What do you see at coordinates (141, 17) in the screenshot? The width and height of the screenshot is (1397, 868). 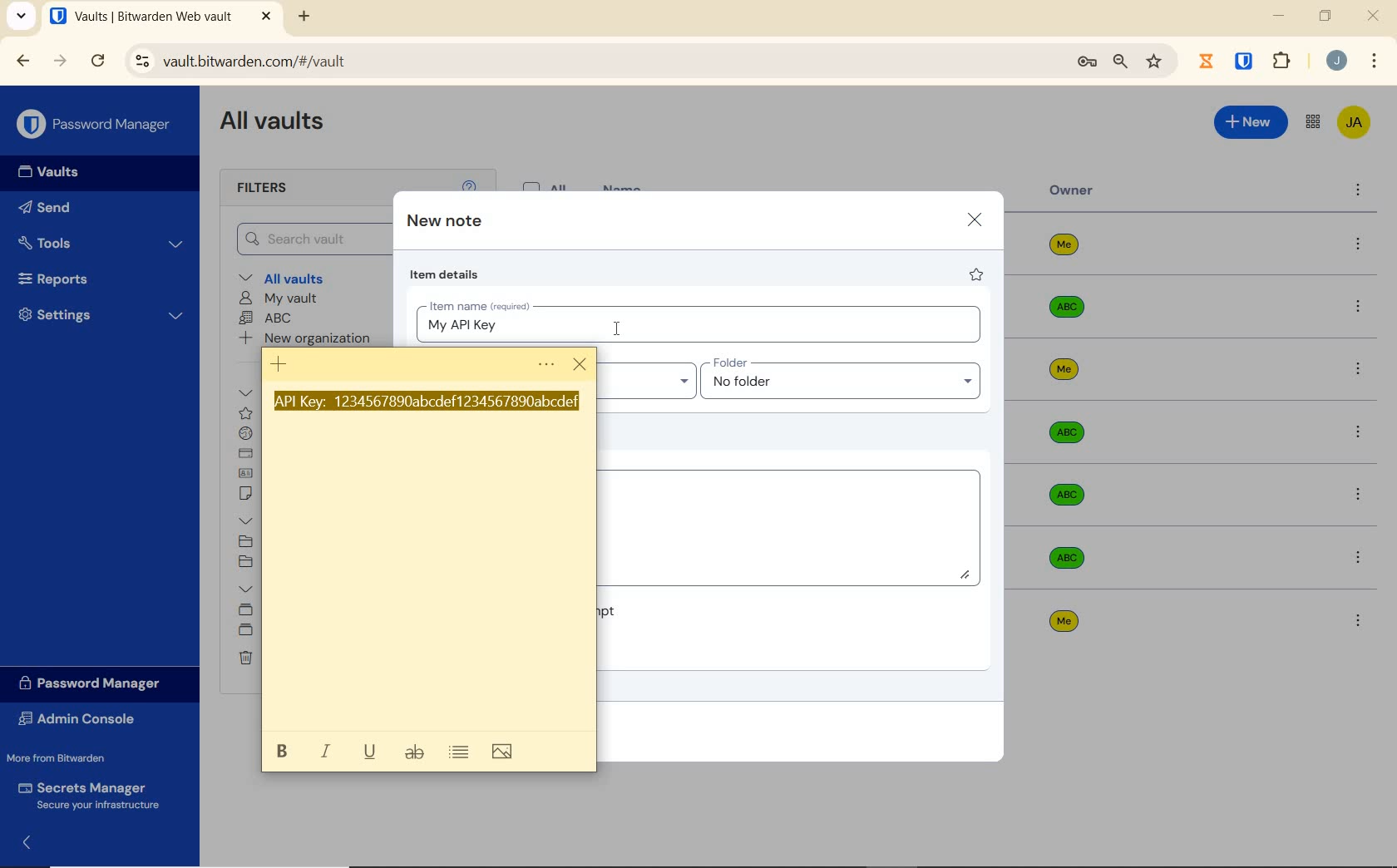 I see `open tab` at bounding box center [141, 17].